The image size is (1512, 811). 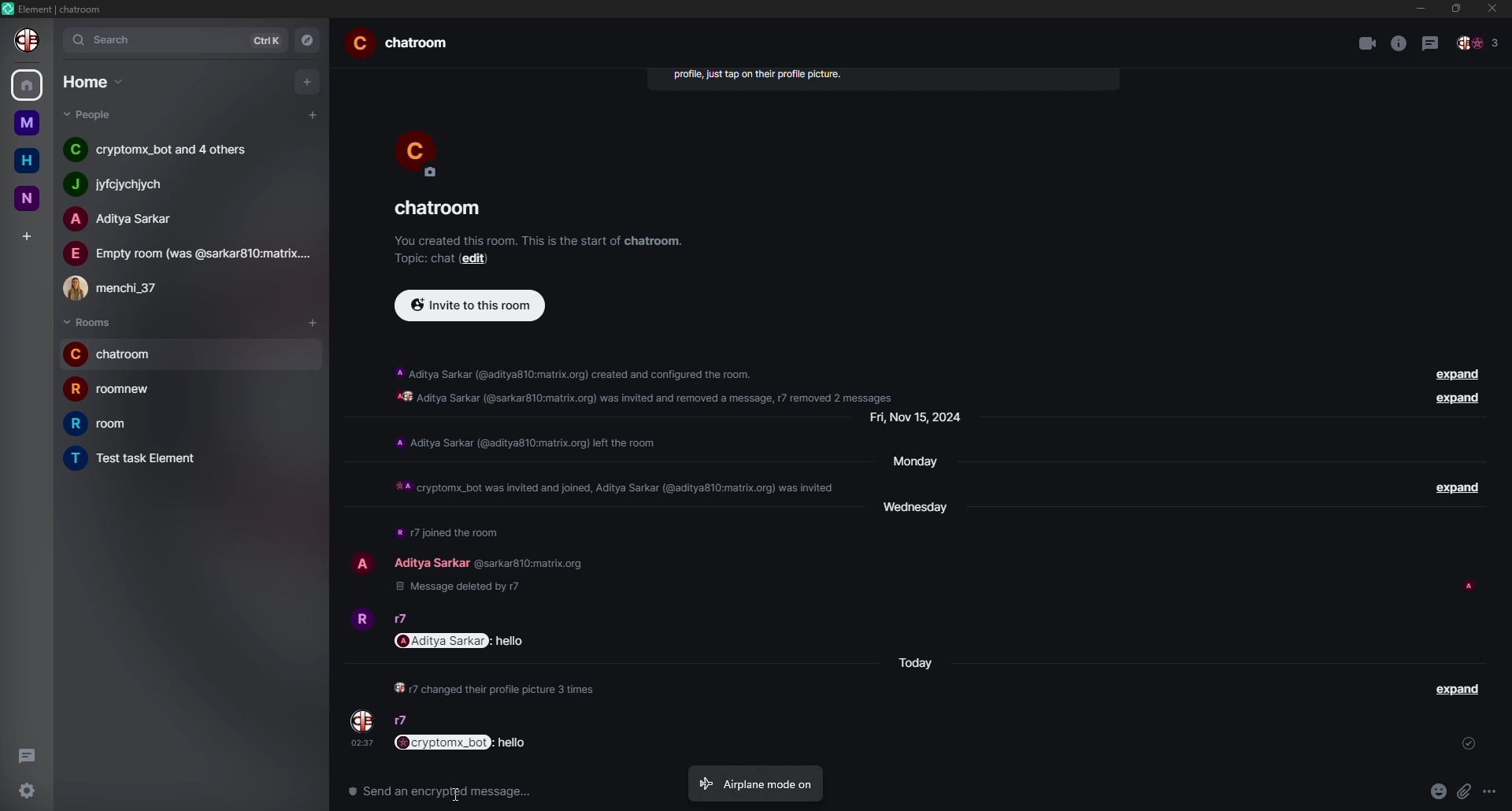 I want to click on topic, so click(x=425, y=257).